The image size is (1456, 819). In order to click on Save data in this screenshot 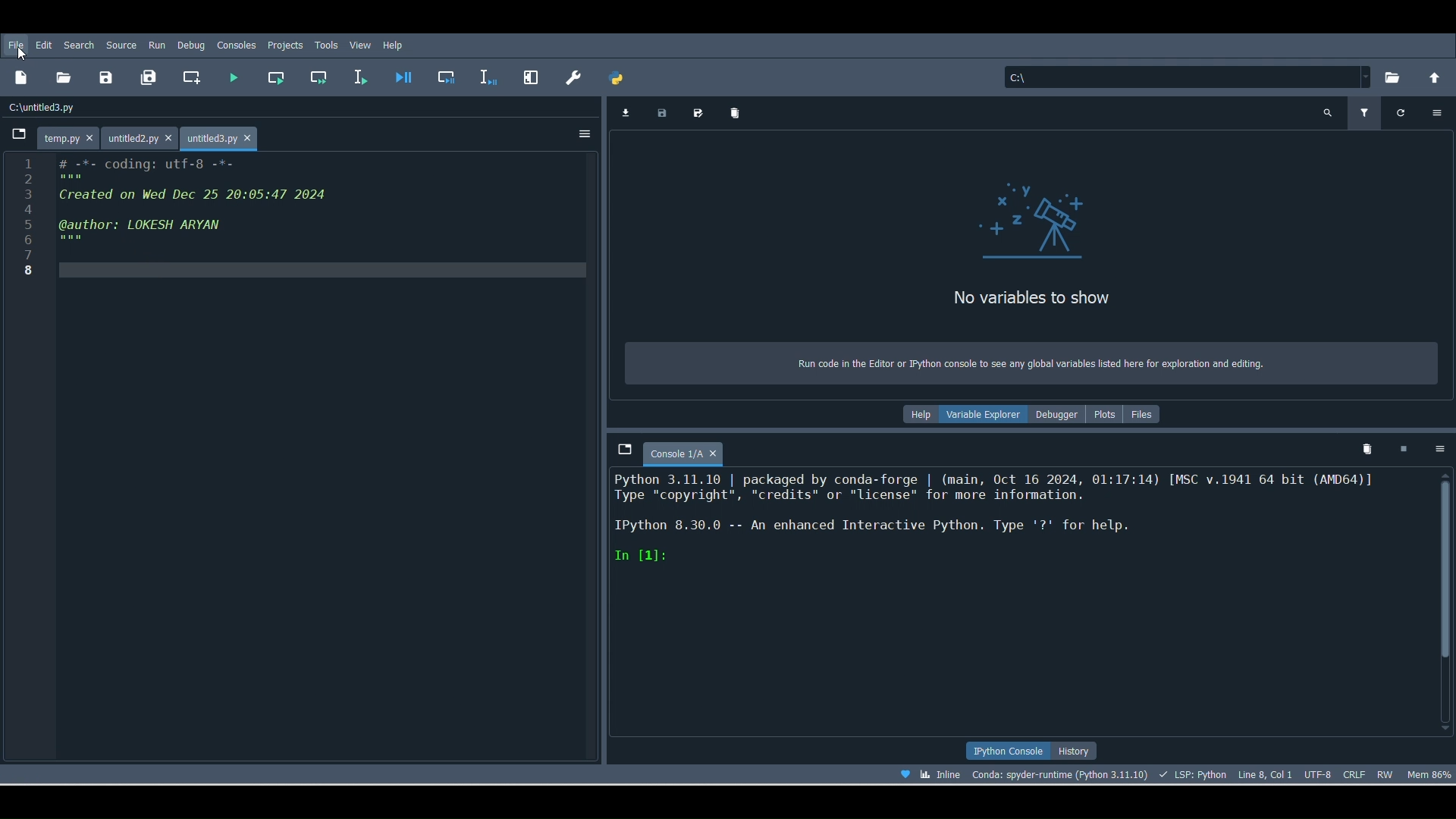, I will do `click(664, 115)`.